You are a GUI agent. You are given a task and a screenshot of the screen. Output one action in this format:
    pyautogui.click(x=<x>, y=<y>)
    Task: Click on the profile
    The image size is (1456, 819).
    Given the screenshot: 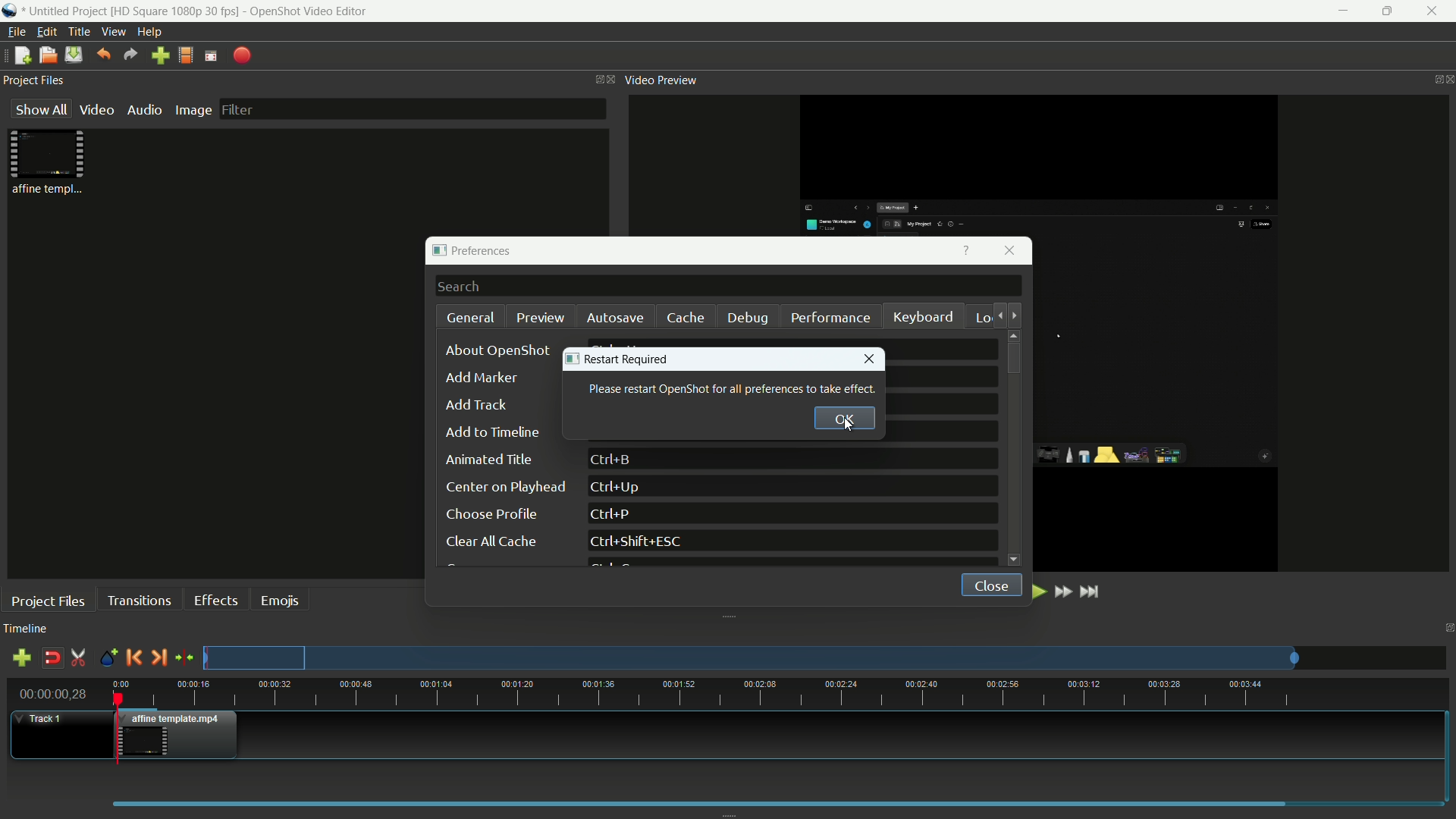 What is the action you would take?
    pyautogui.click(x=177, y=11)
    